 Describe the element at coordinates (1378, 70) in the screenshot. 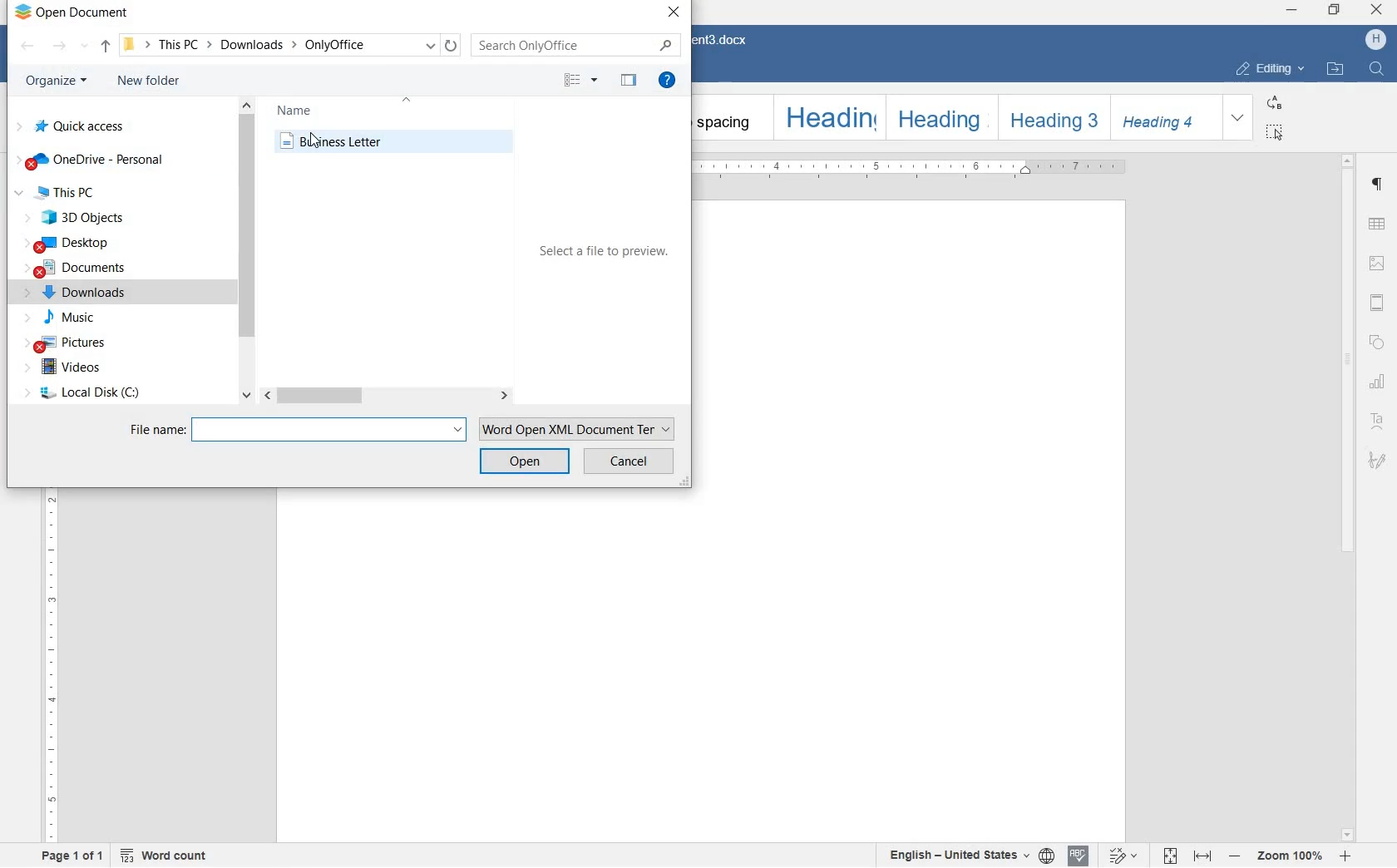

I see `find` at that location.